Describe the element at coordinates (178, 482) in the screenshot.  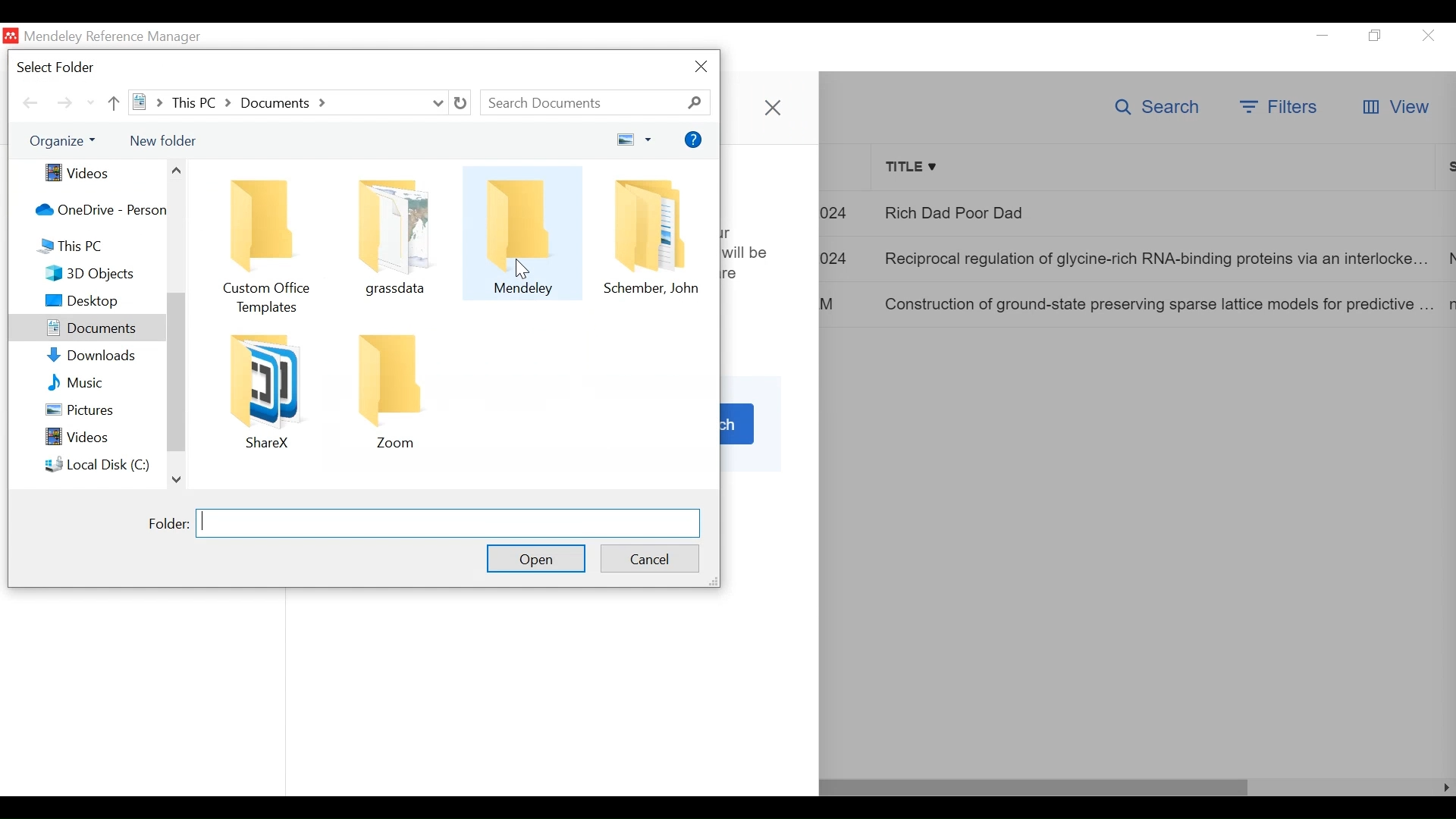
I see `Scroll down` at that location.